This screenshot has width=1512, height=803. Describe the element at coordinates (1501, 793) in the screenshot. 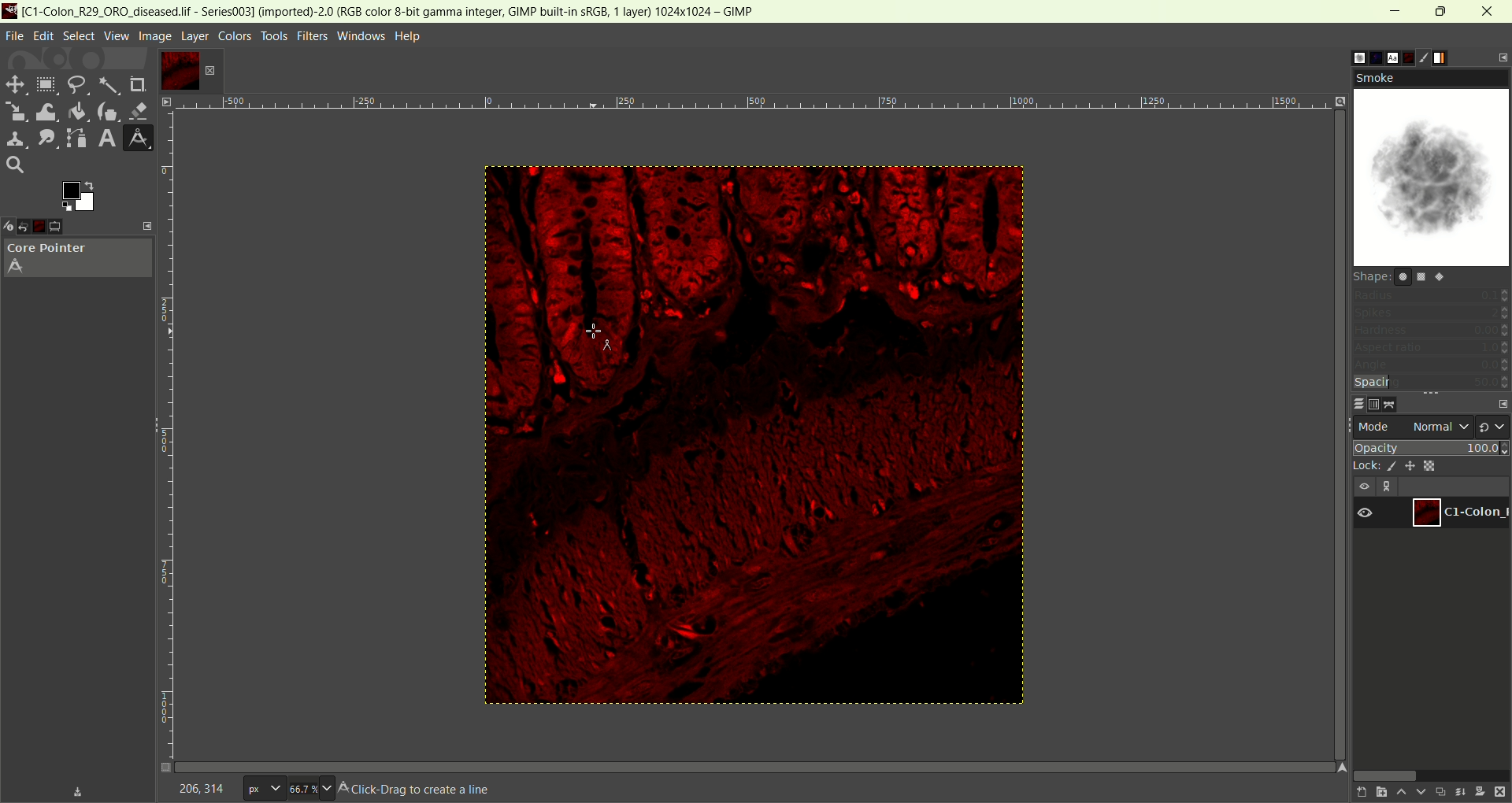

I see `delete layer` at that location.